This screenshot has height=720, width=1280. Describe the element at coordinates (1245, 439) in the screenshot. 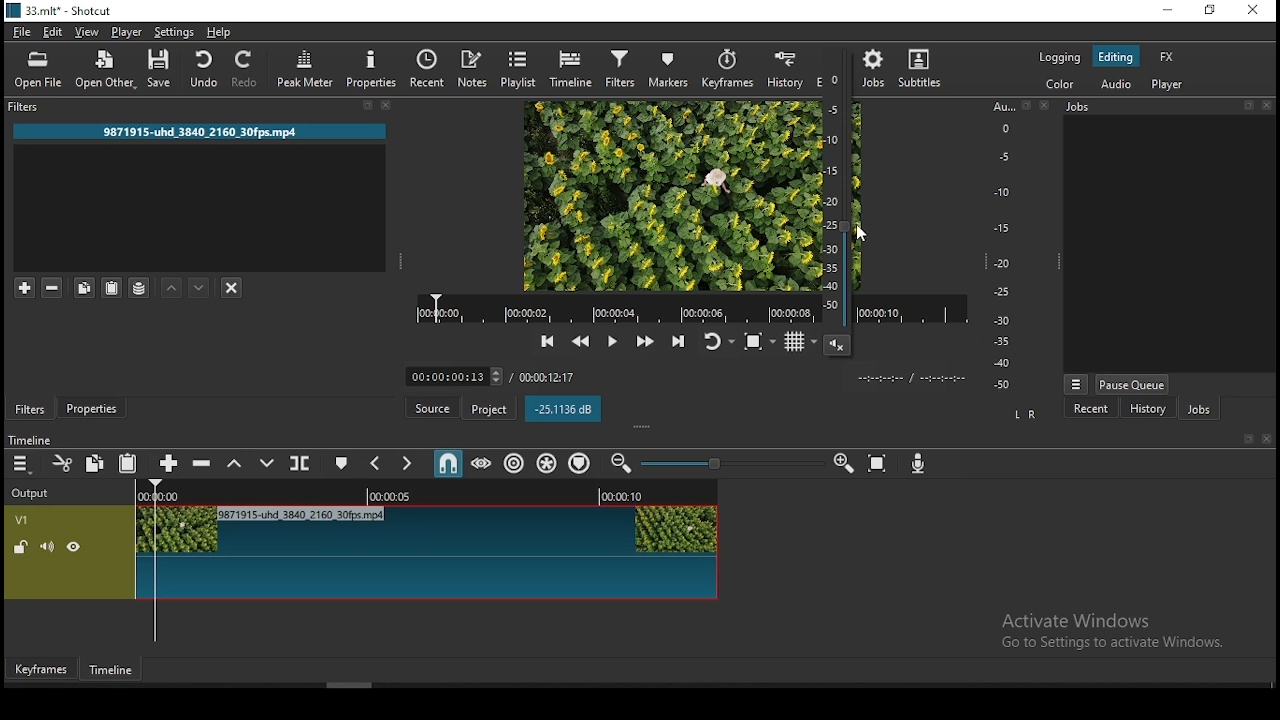

I see `bookmark` at that location.